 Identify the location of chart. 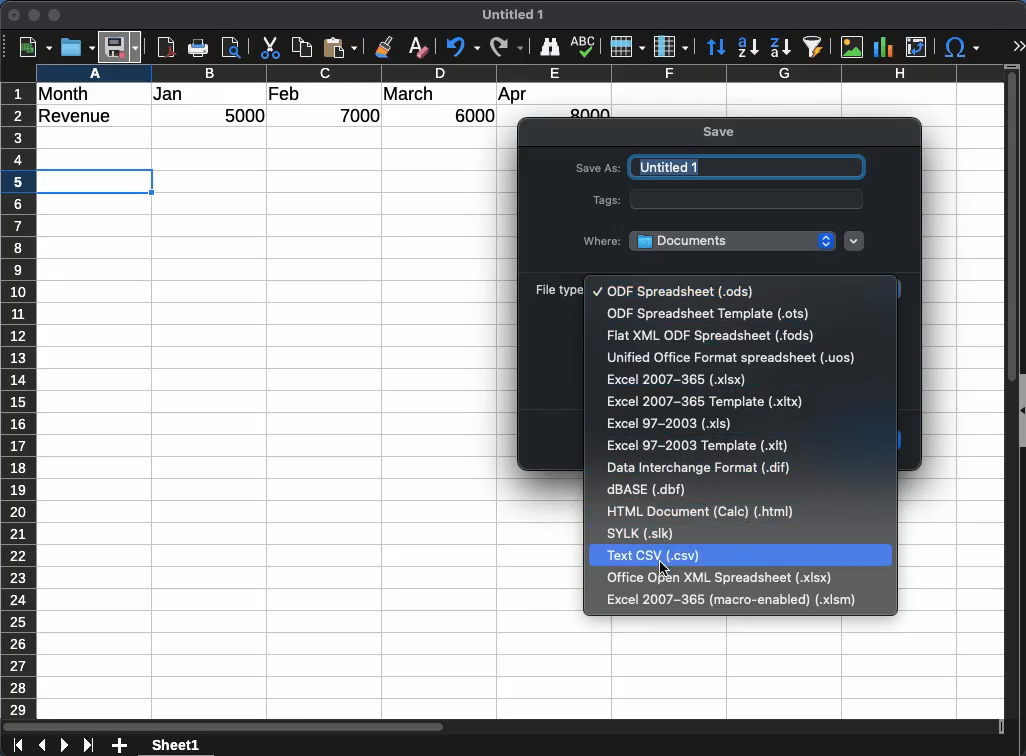
(881, 46).